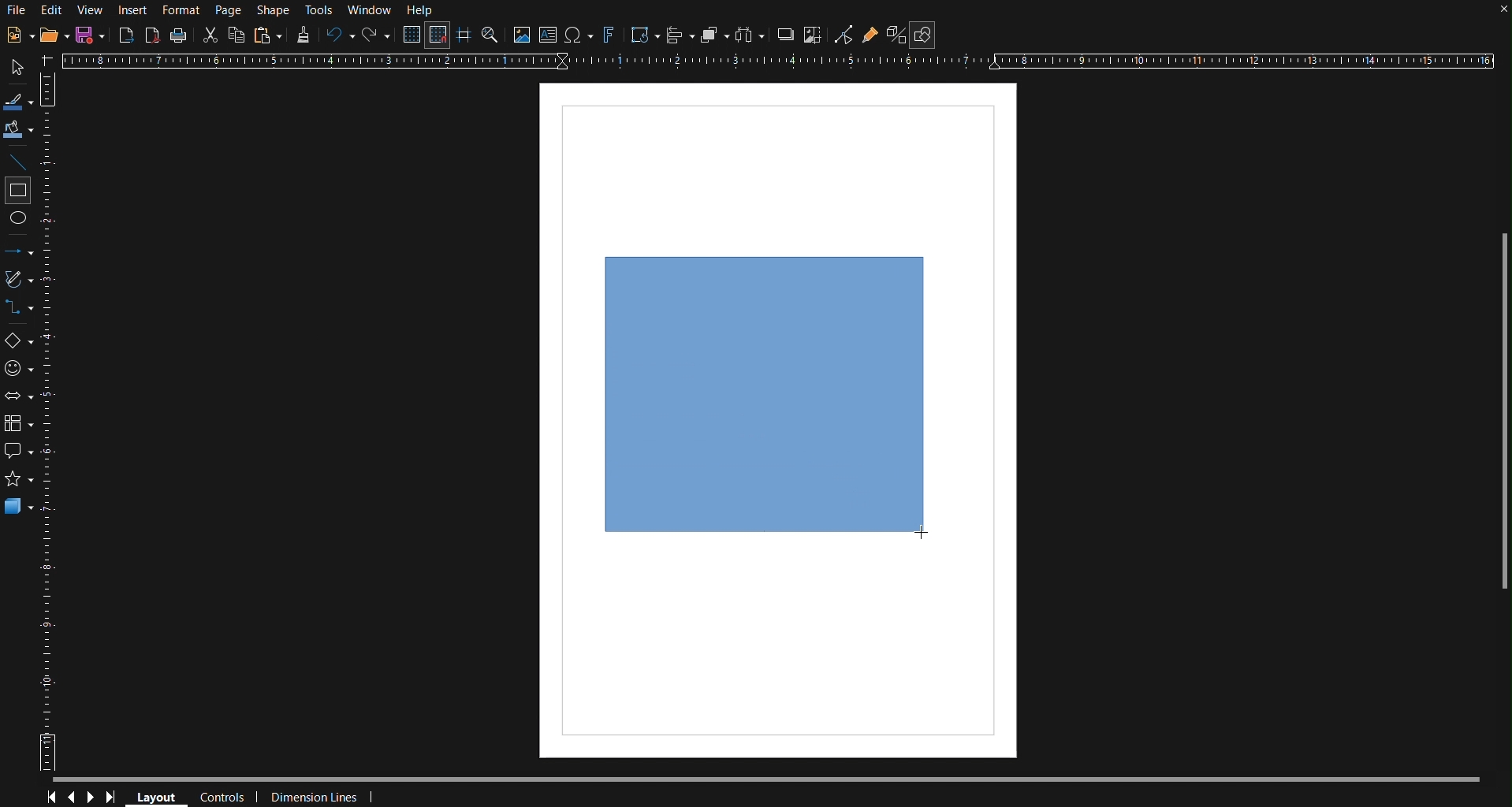 The width and height of the screenshot is (1512, 807). I want to click on View, so click(89, 11).